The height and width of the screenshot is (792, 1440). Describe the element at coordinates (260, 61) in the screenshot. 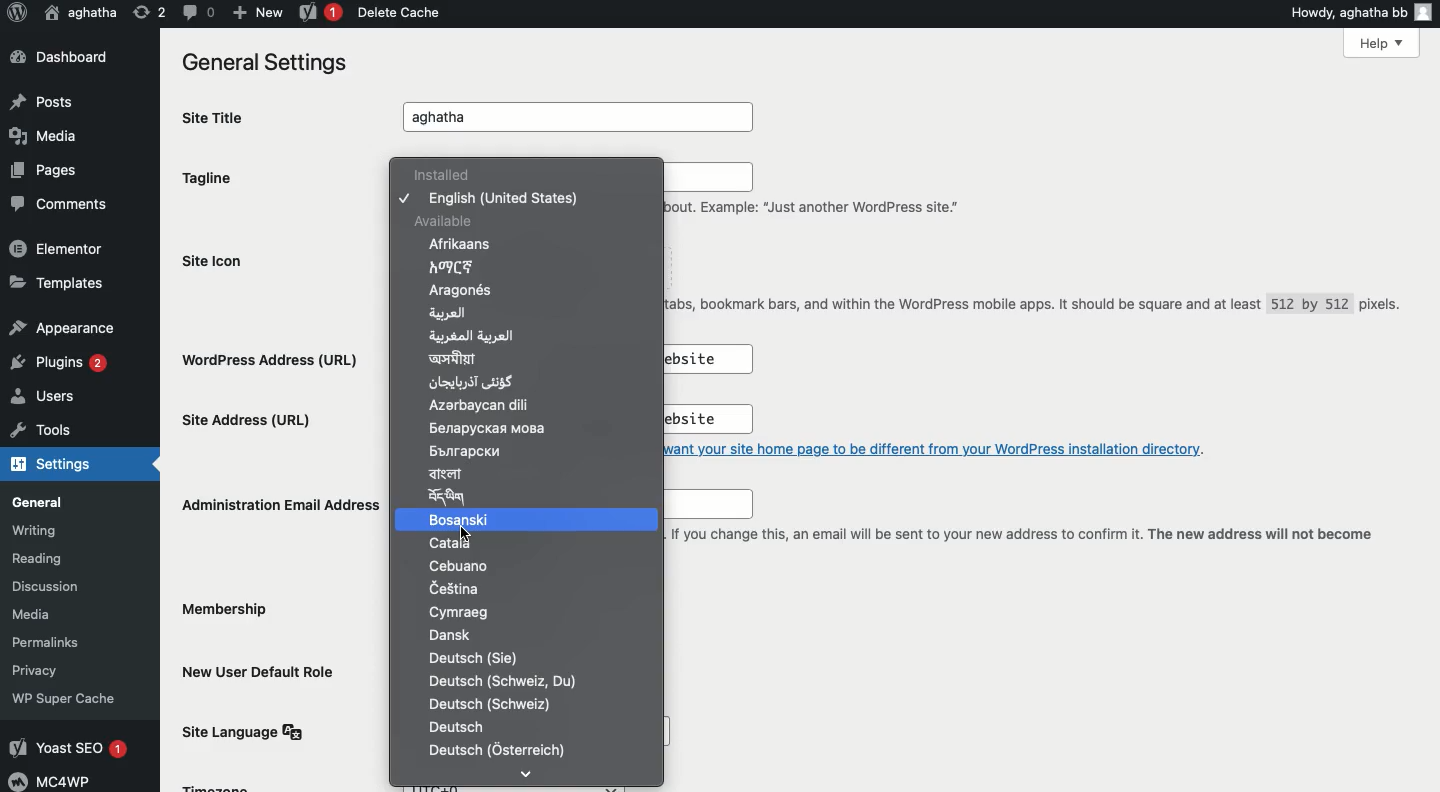

I see `General settings` at that location.